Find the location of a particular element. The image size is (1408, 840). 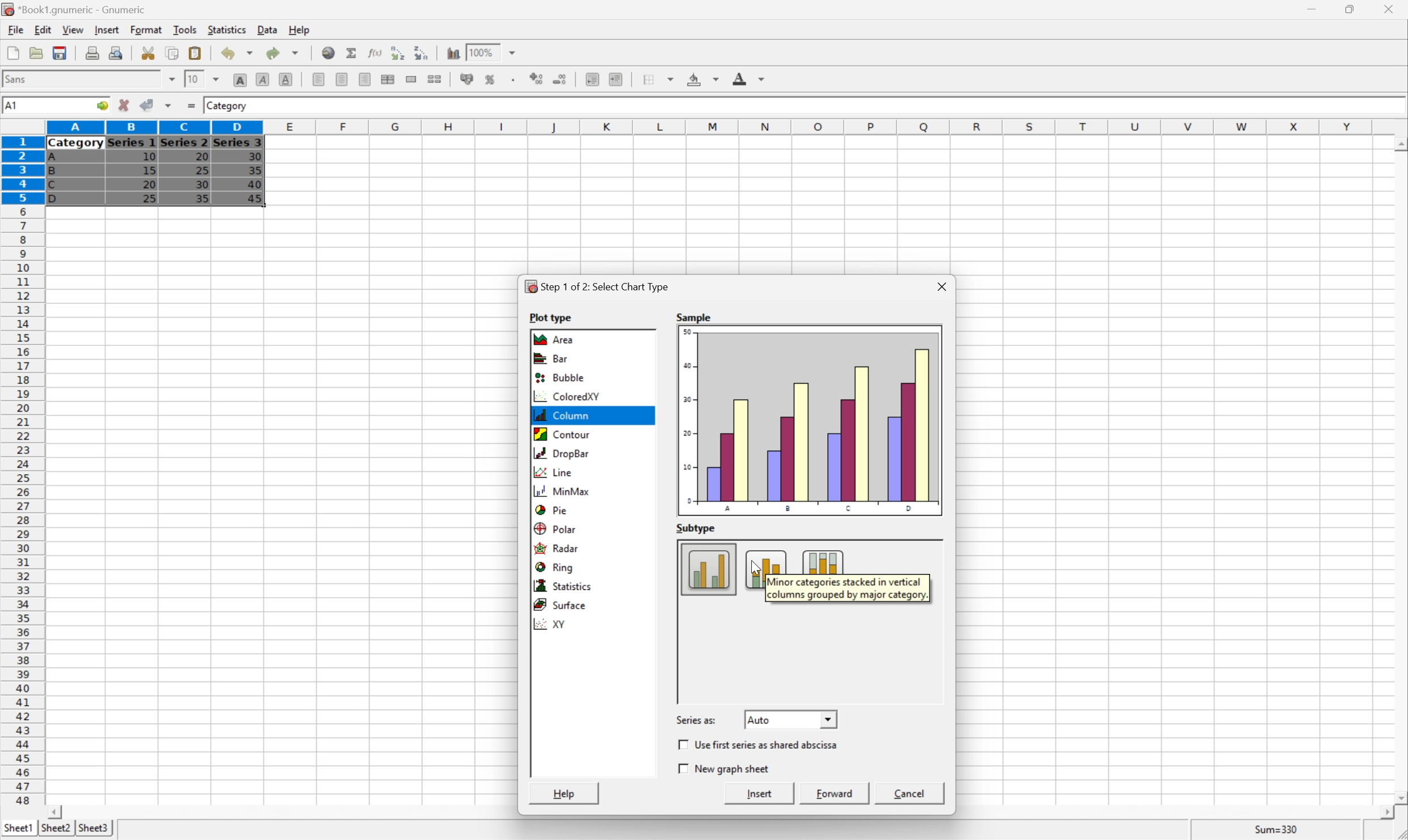

Increase indent, and align the contents to the left is located at coordinates (615, 80).